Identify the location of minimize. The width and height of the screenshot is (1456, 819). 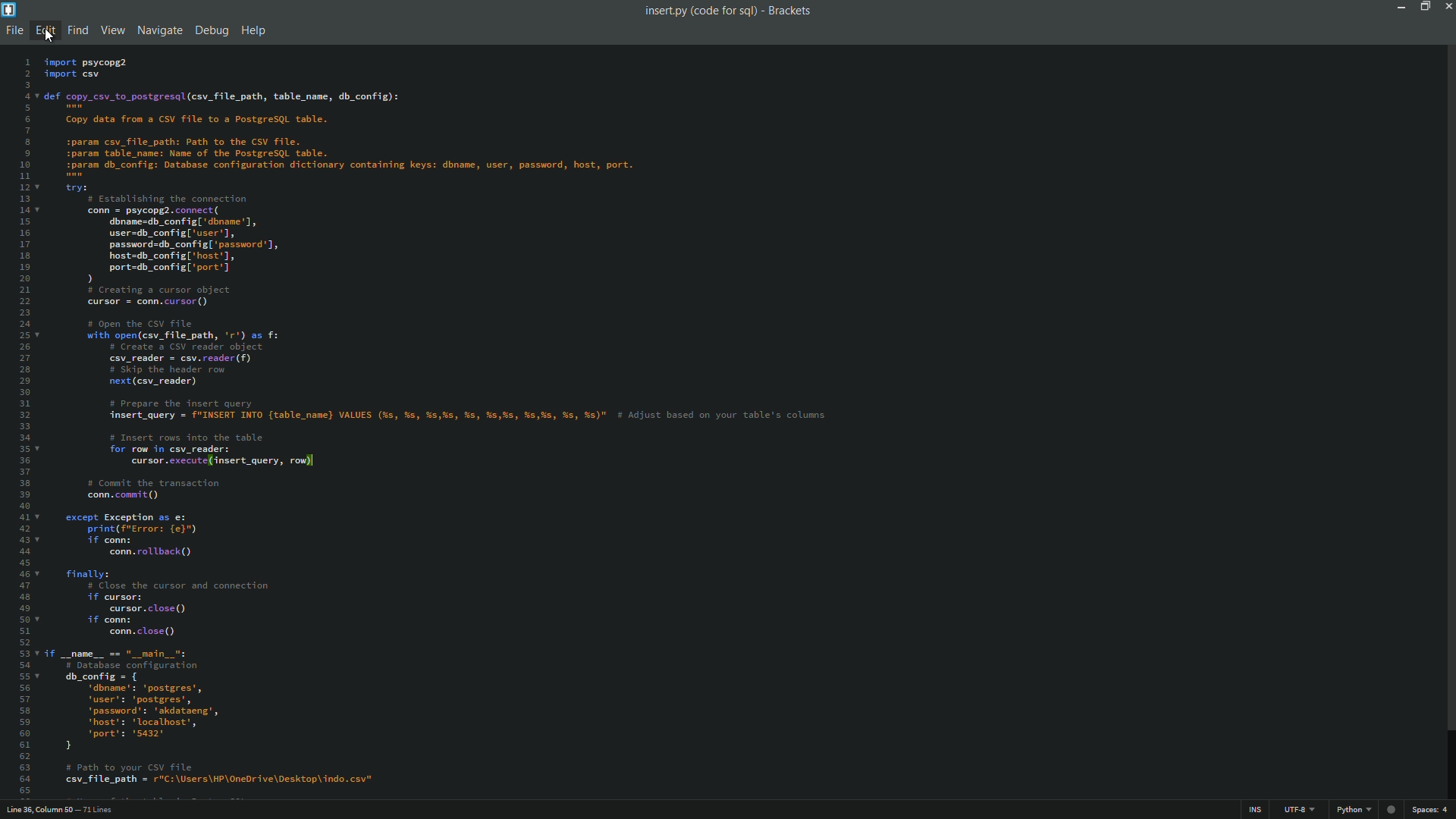
(1399, 6).